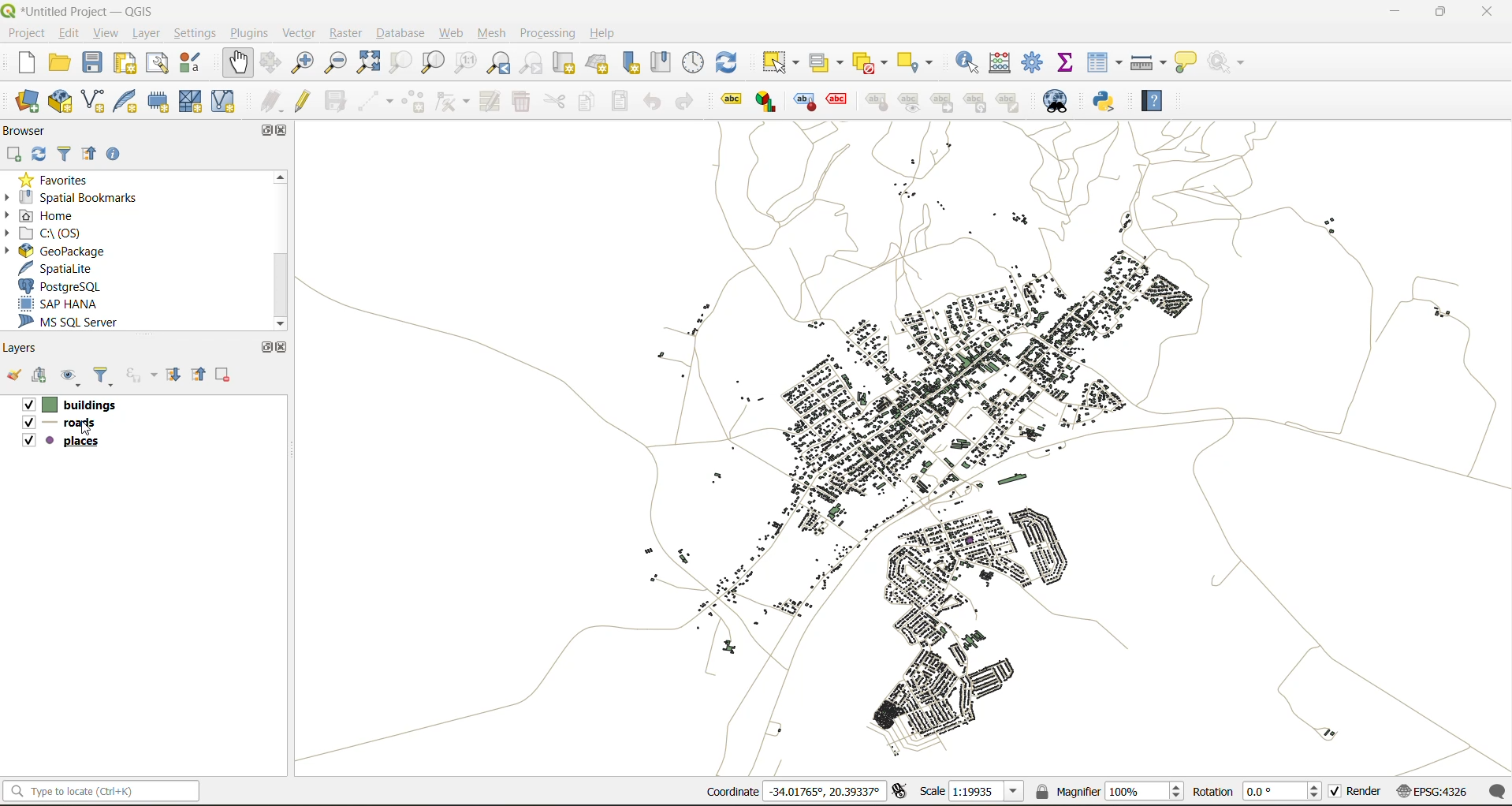 This screenshot has height=806, width=1512. Describe the element at coordinates (1434, 790) in the screenshot. I see `crs` at that location.